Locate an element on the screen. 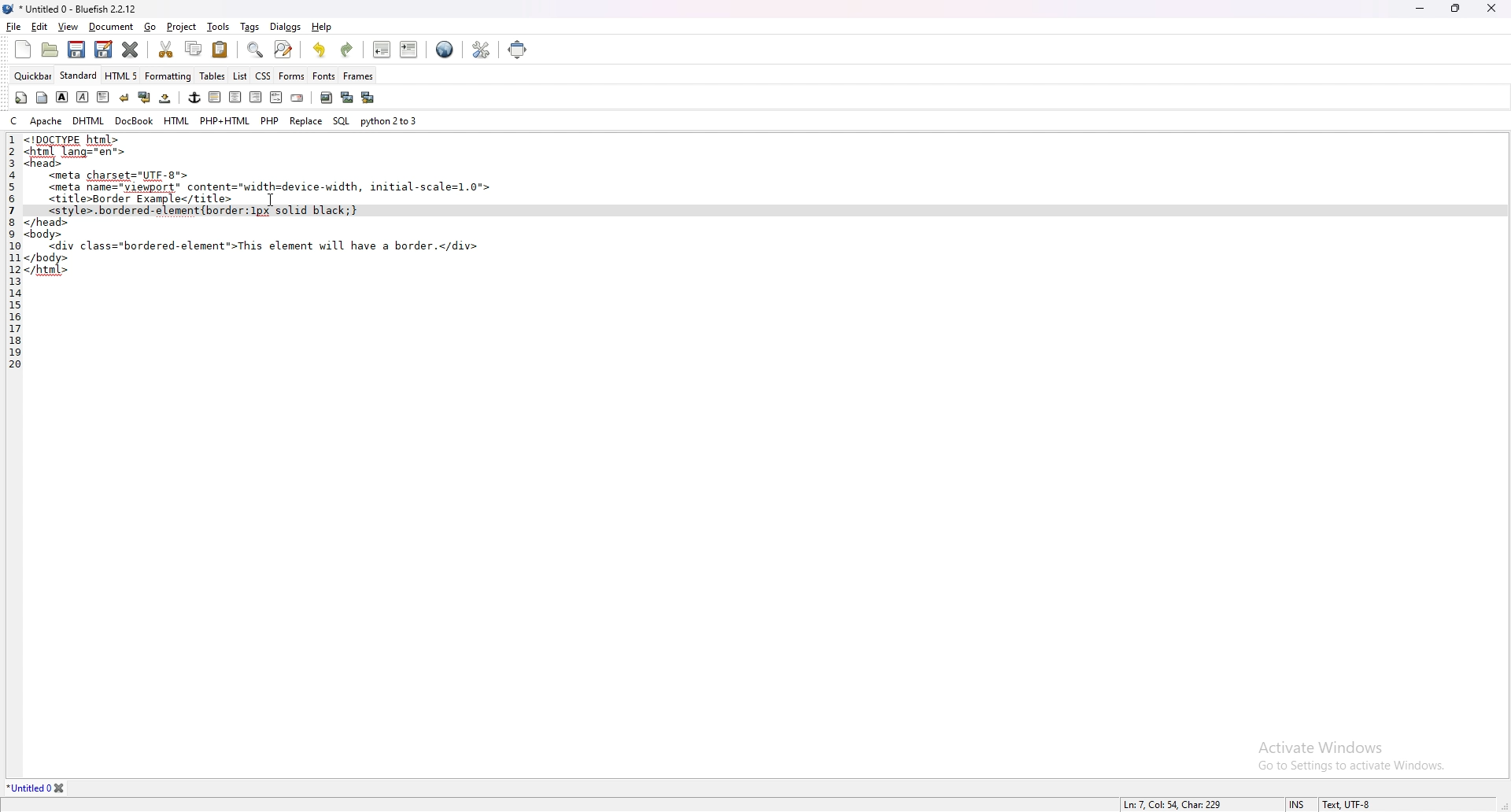 Image resolution: width=1511 pixels, height=812 pixels. edit in browser is located at coordinates (445, 50).